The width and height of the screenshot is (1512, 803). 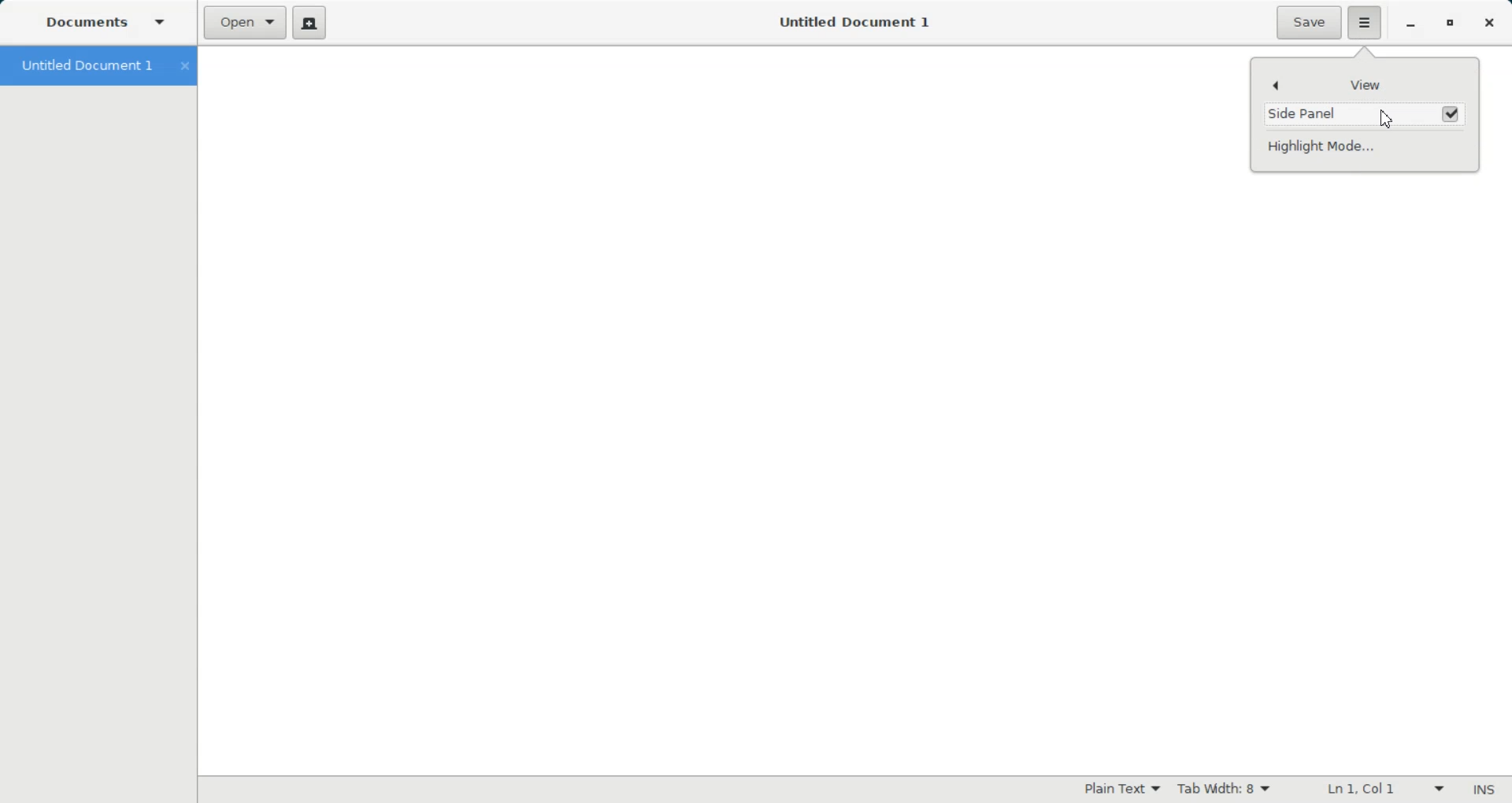 What do you see at coordinates (1366, 114) in the screenshot?
I see `(un)check Enable Side Panel` at bounding box center [1366, 114].